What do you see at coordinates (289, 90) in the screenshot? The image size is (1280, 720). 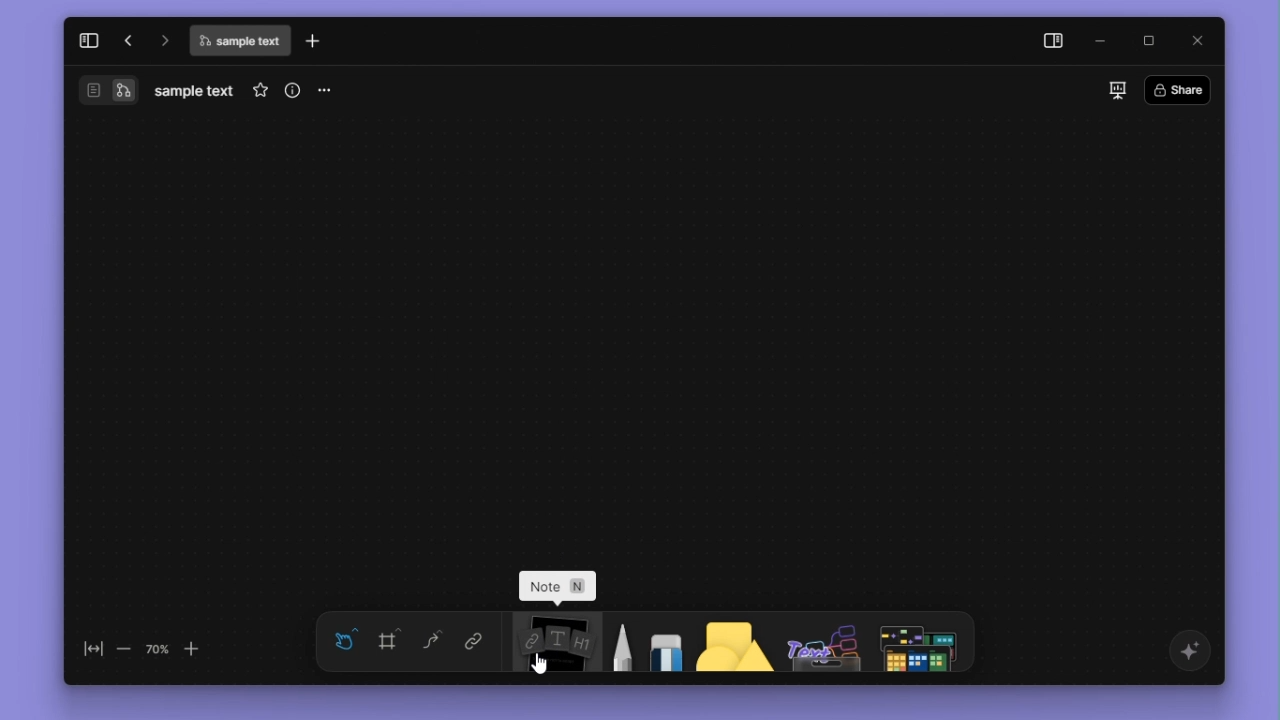 I see `more info` at bounding box center [289, 90].